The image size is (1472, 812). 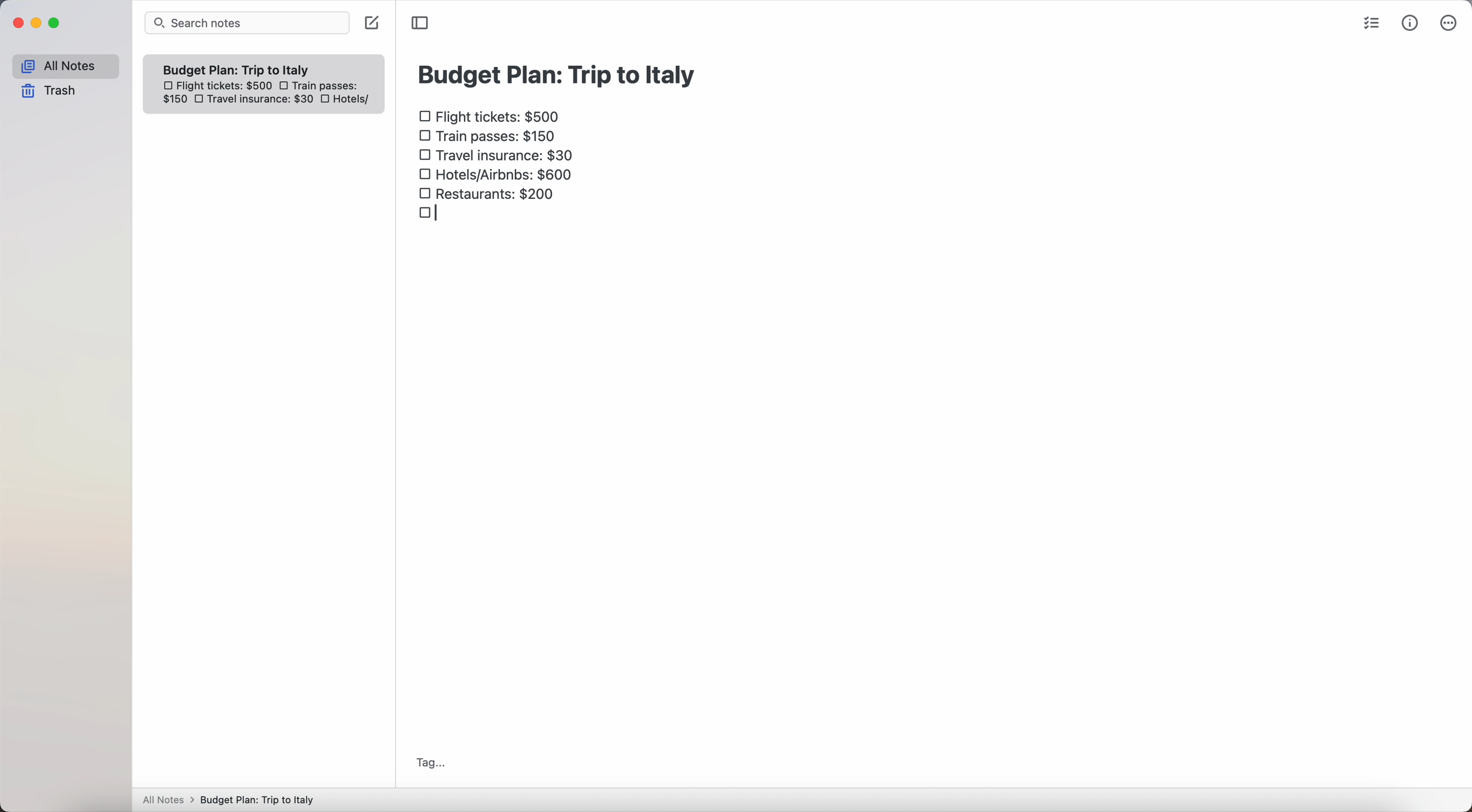 I want to click on all notes, so click(x=65, y=66).